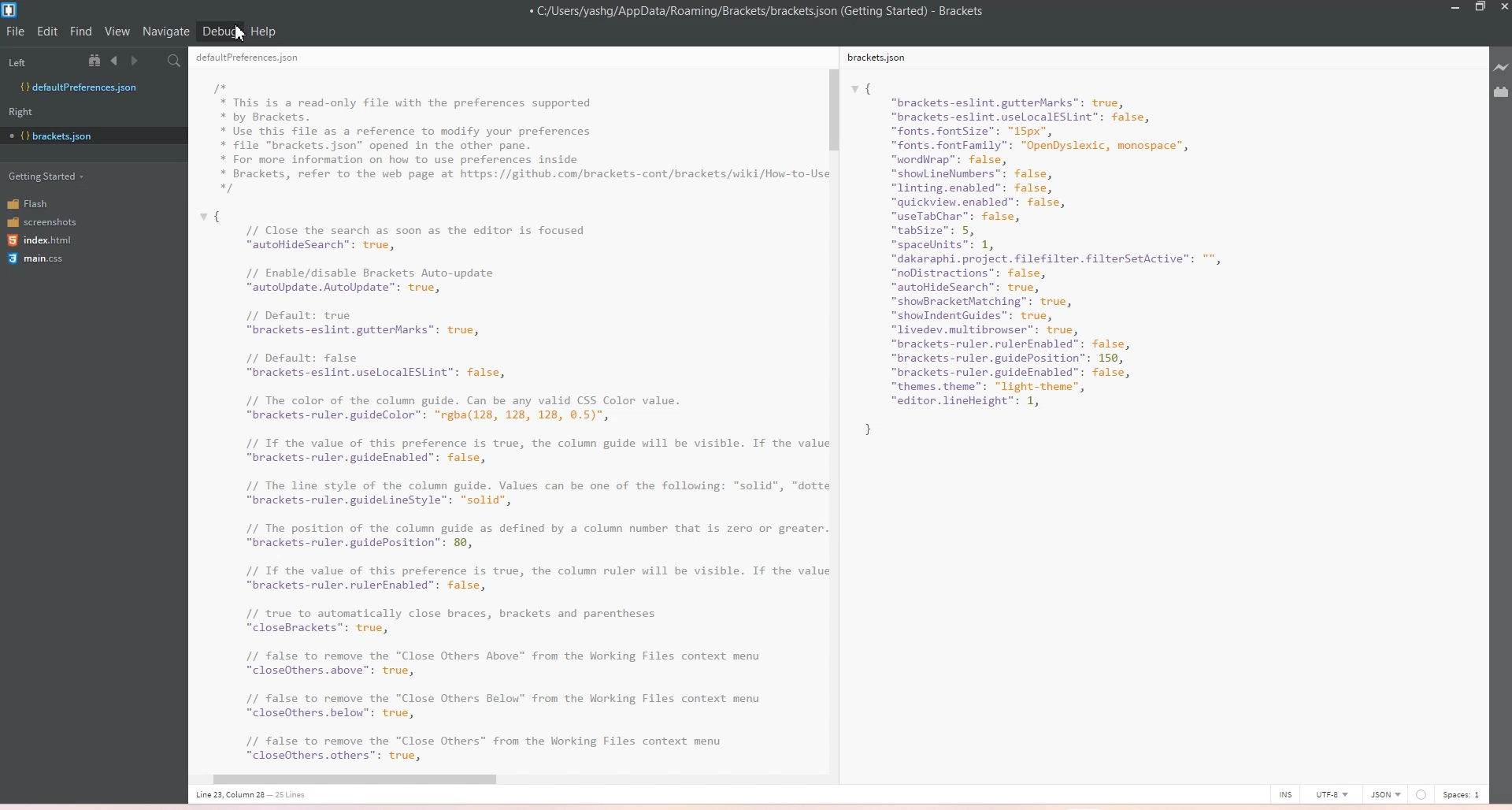  What do you see at coordinates (1385, 793) in the screenshot?
I see `JSON` at bounding box center [1385, 793].